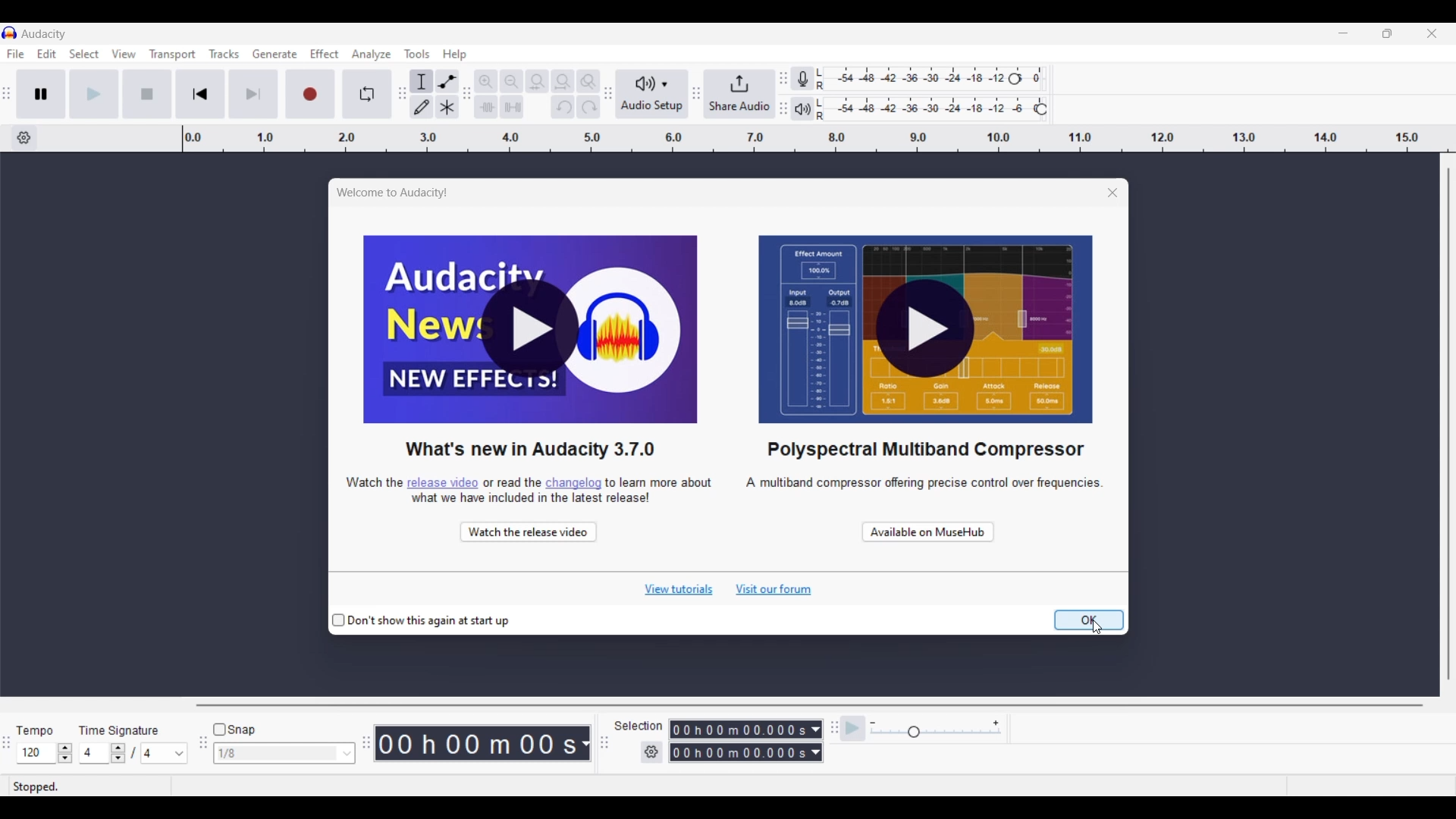  Describe the element at coordinates (538, 81) in the screenshot. I see `Fit selection to width` at that location.